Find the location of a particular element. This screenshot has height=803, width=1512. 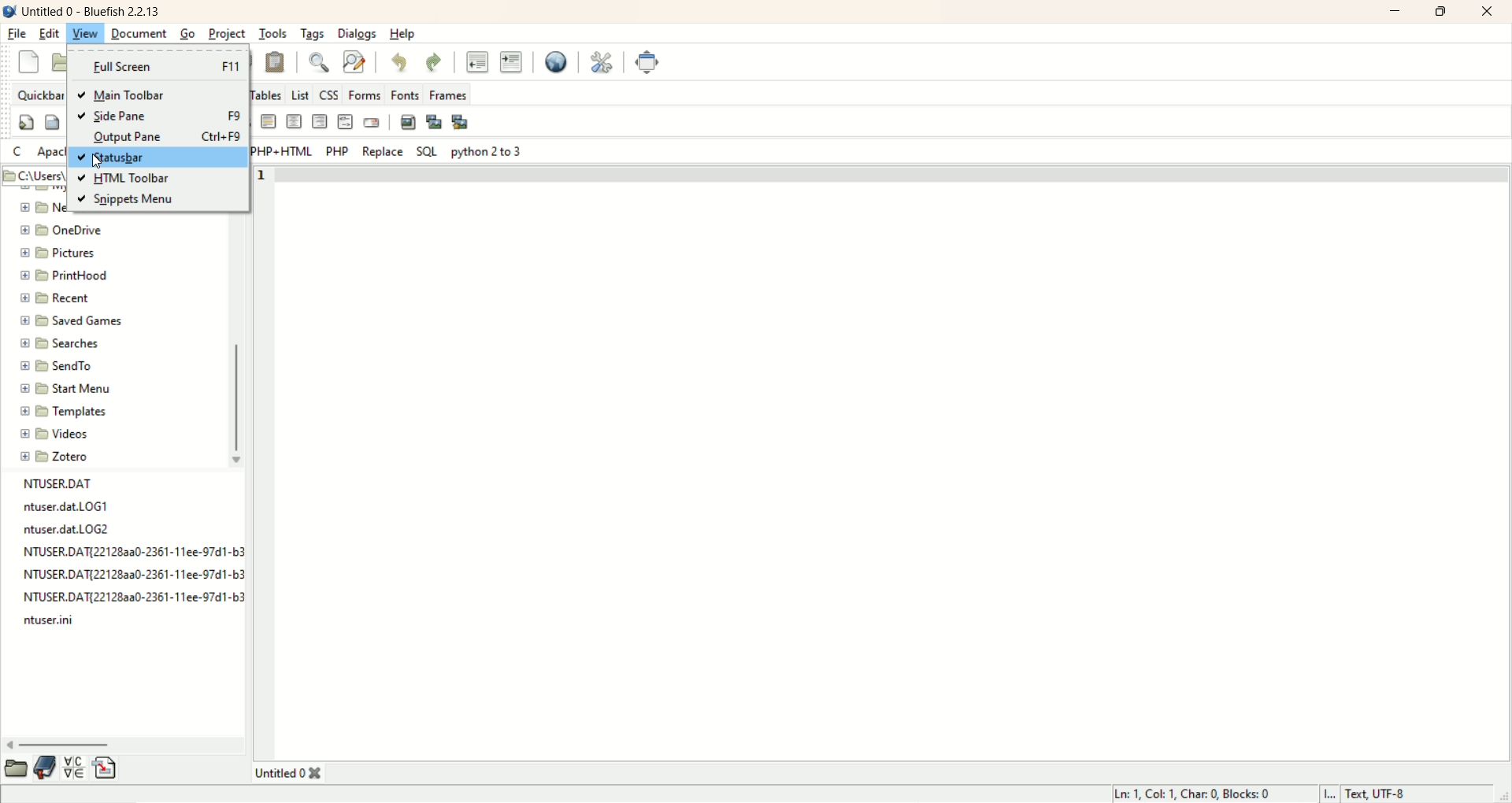

pictures is located at coordinates (60, 252).